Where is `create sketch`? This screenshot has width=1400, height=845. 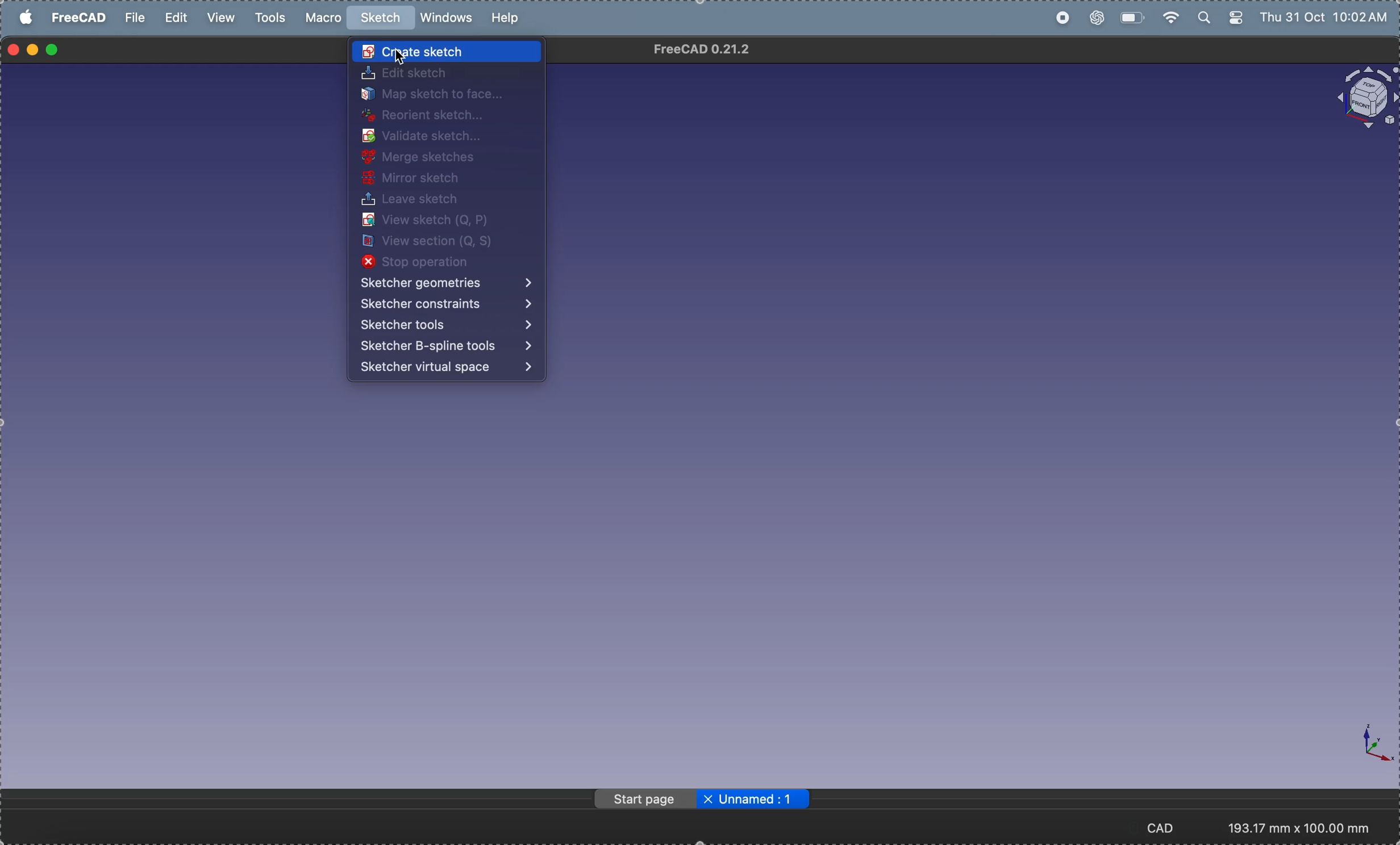 create sketch is located at coordinates (449, 51).